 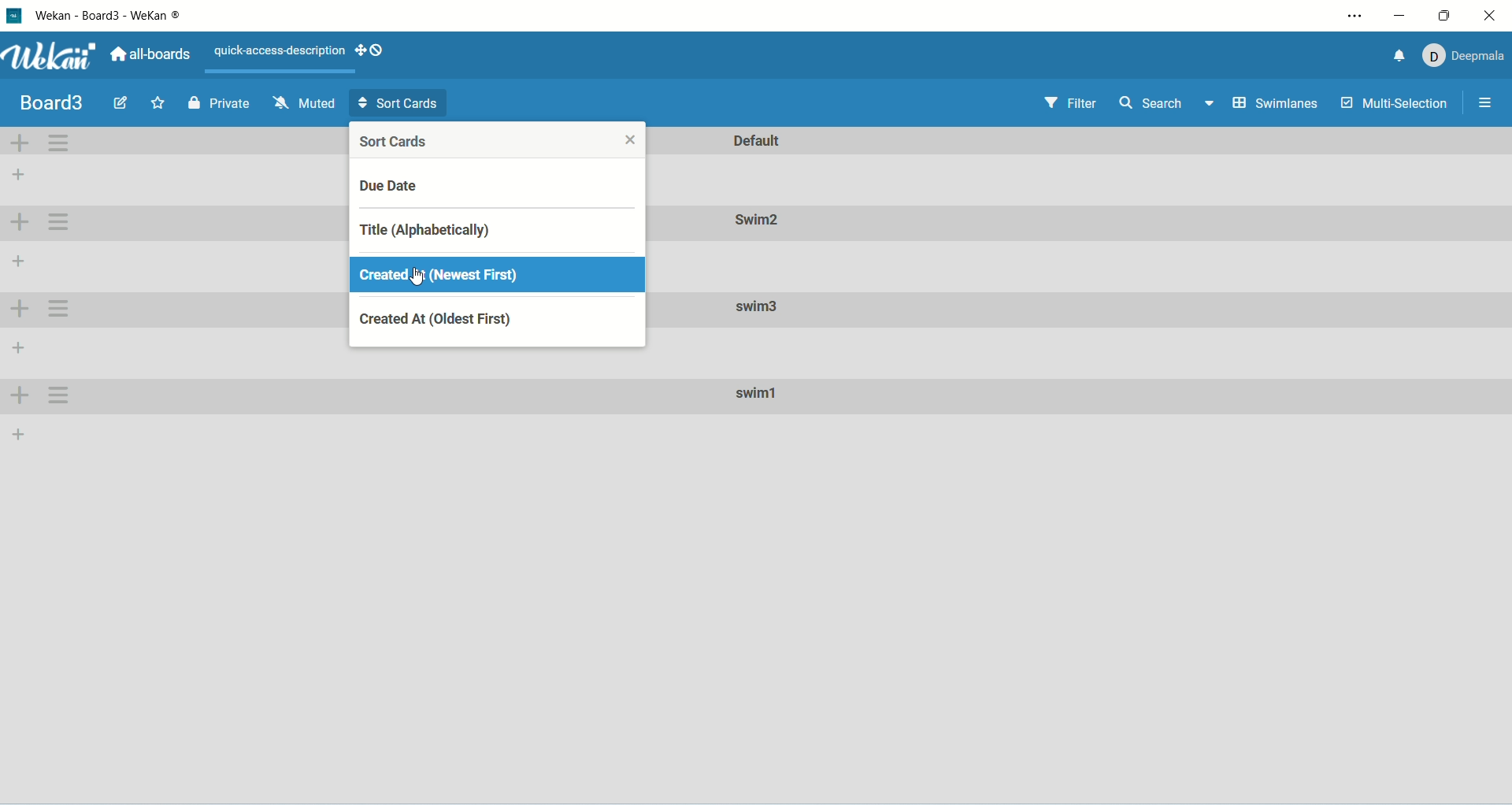 I want to click on title, so click(x=497, y=229).